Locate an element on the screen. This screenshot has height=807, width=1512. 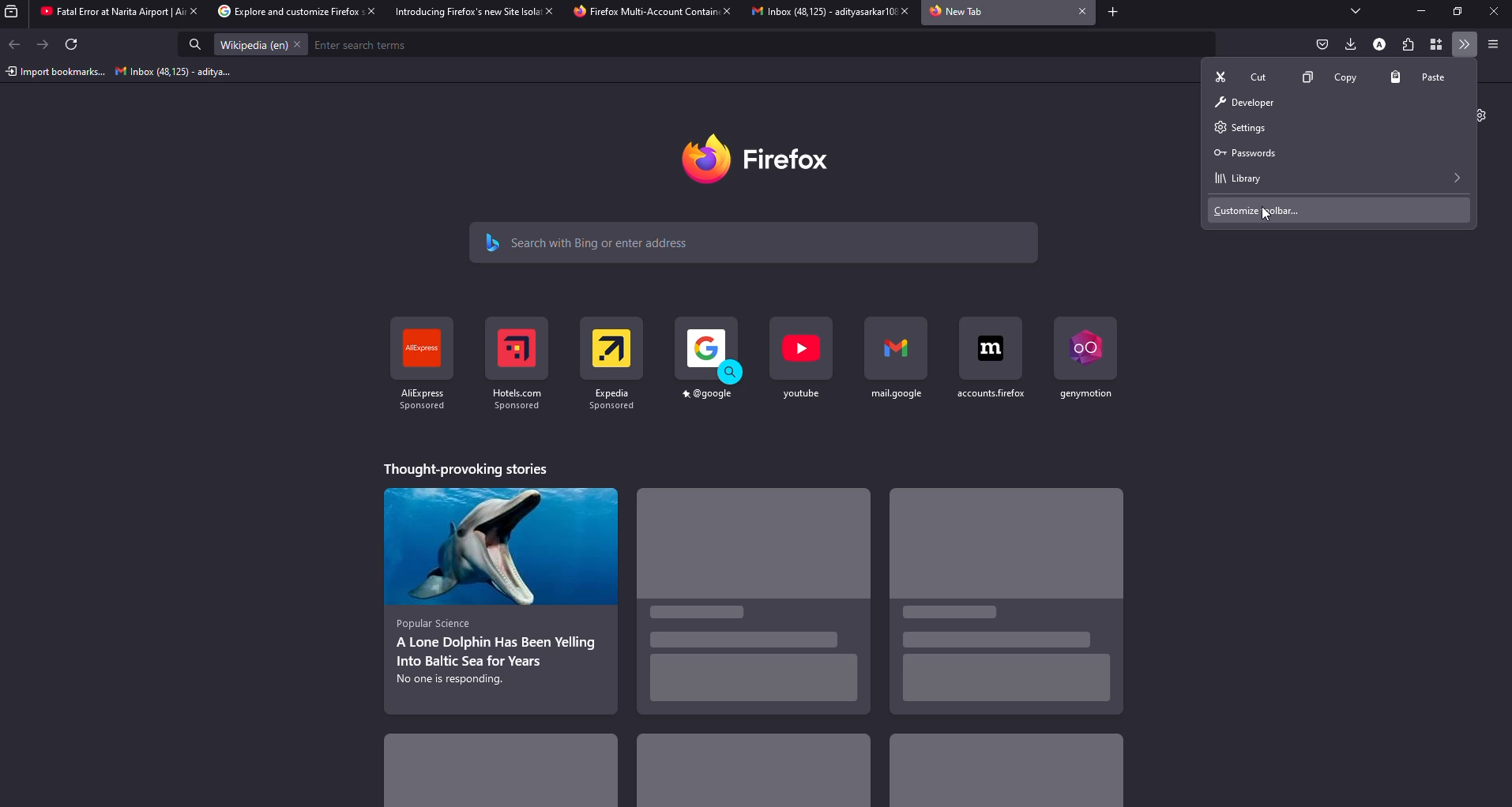
close is located at coordinates (726, 12).